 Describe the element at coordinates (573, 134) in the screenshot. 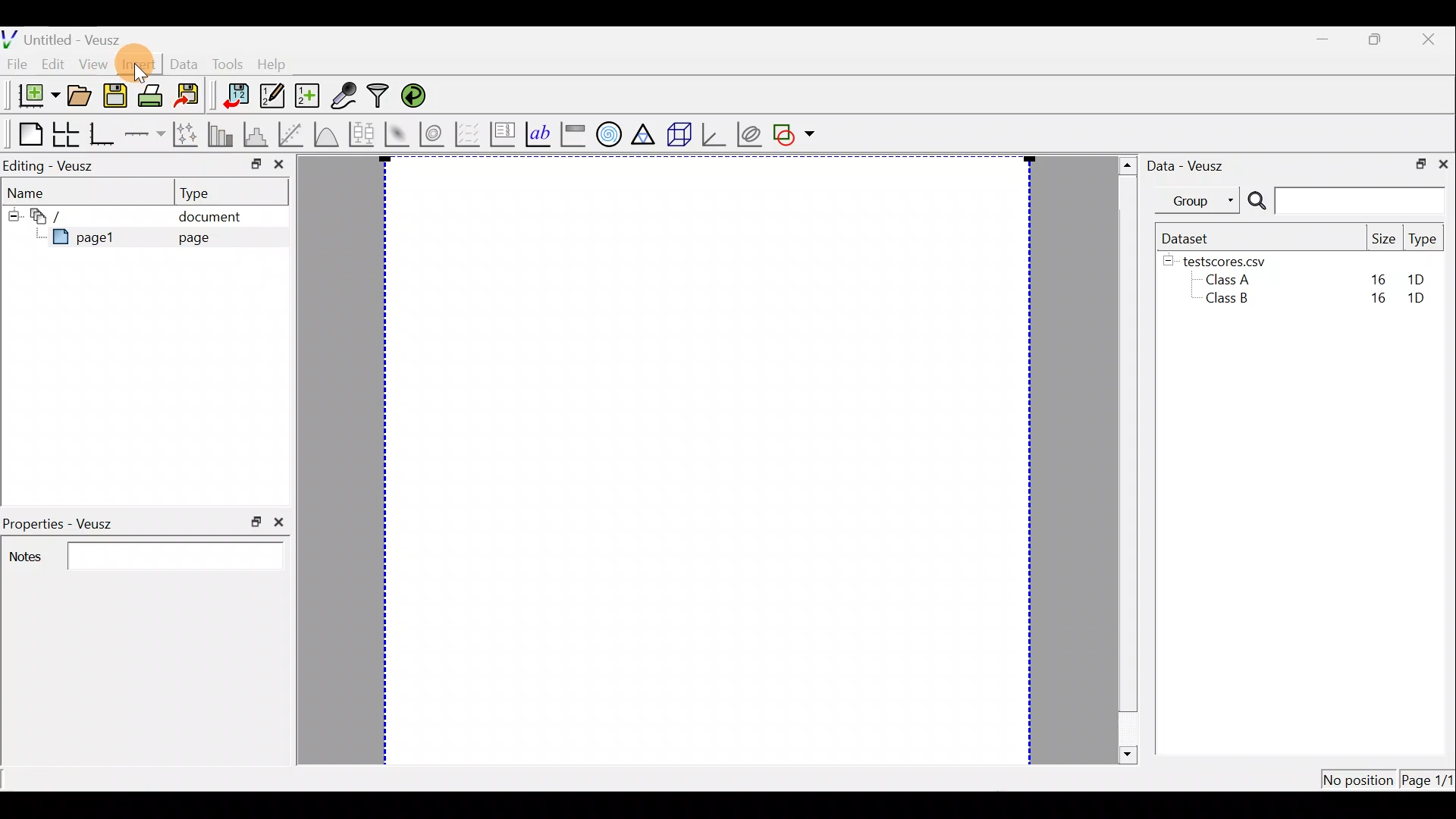

I see `Image color bar` at that location.